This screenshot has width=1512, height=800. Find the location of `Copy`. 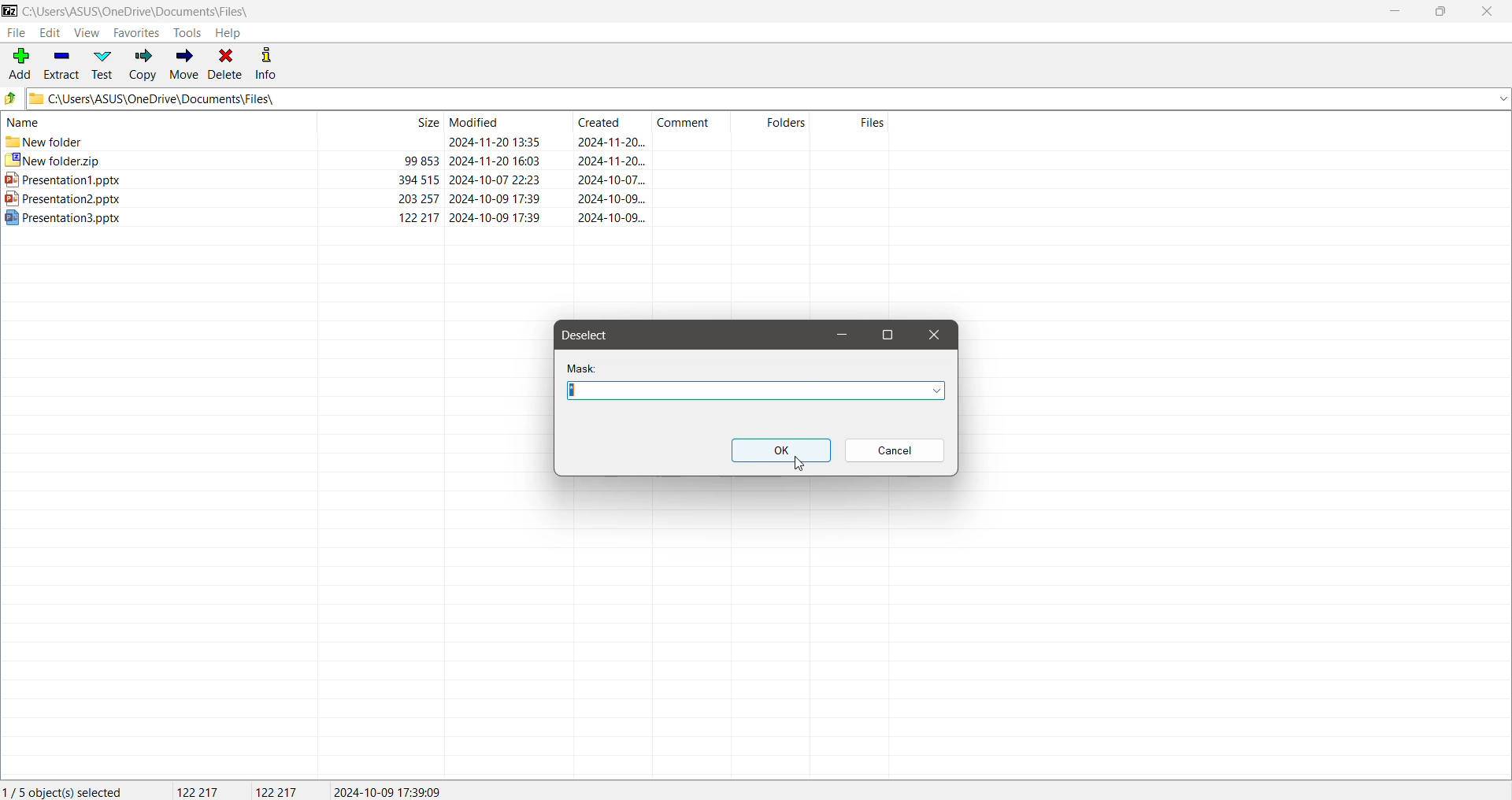

Copy is located at coordinates (143, 64).